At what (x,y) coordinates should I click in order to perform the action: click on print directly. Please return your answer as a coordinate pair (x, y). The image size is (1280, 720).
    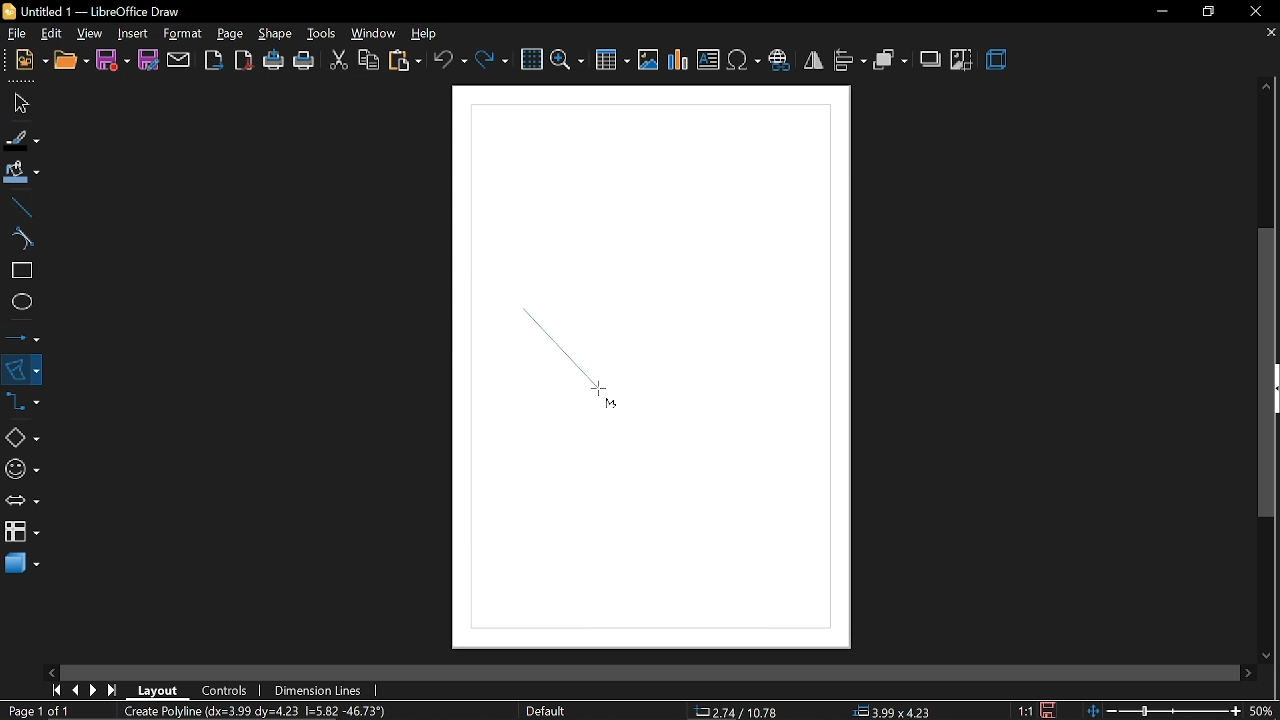
    Looking at the image, I should click on (275, 61).